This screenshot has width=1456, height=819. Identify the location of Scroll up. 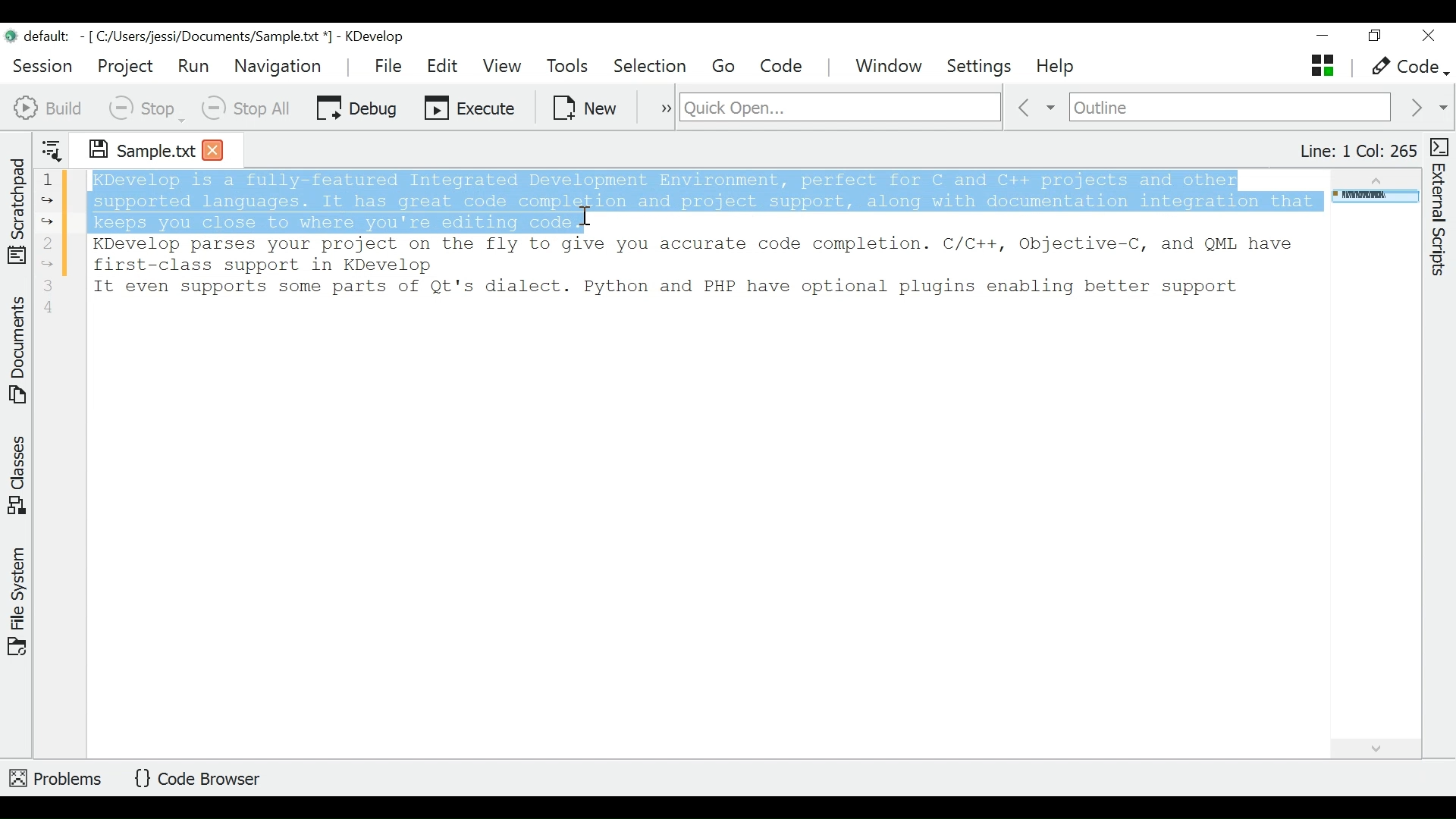
(1373, 177).